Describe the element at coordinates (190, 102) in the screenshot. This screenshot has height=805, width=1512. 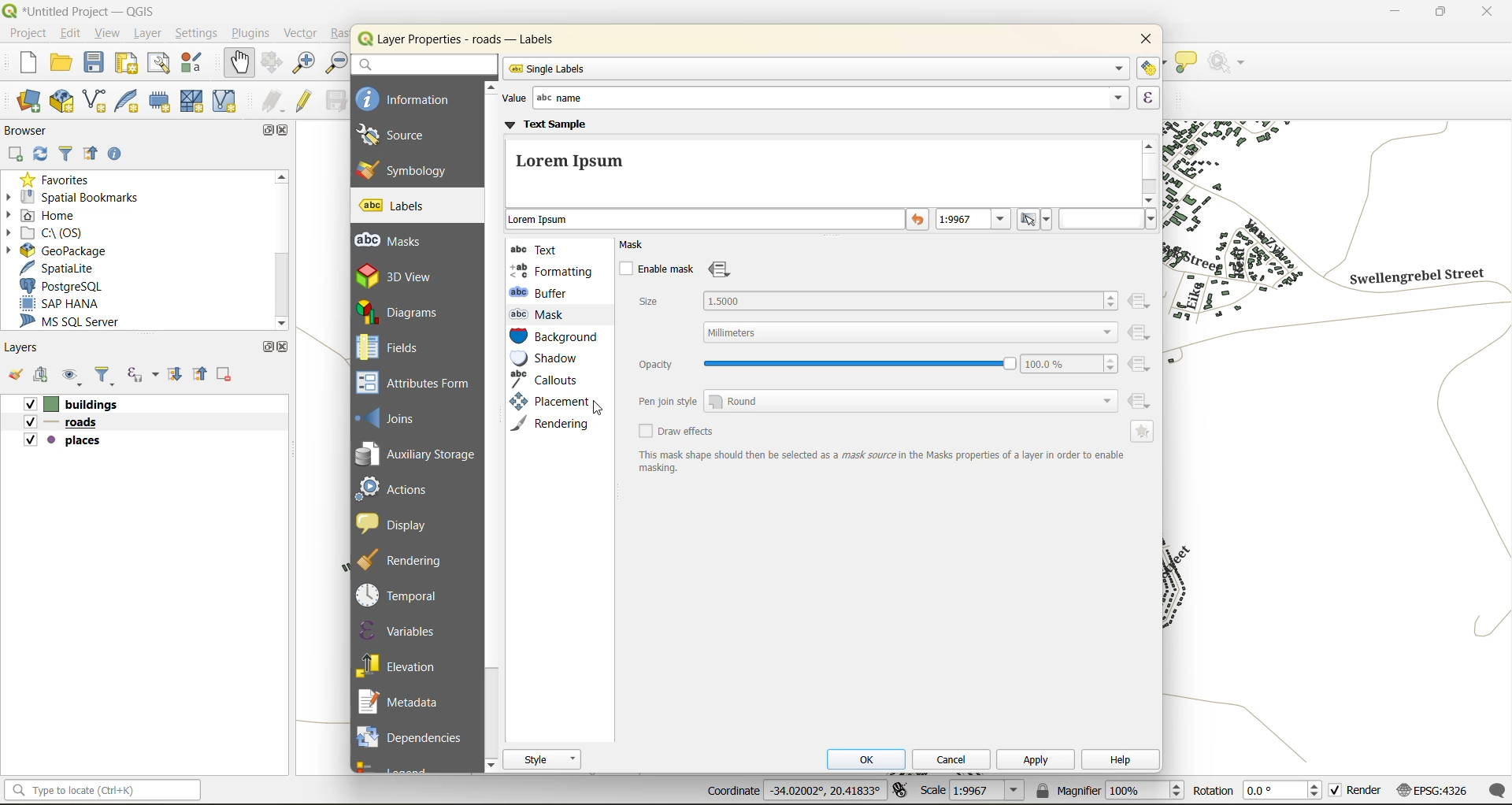
I see `new mesh layer` at that location.